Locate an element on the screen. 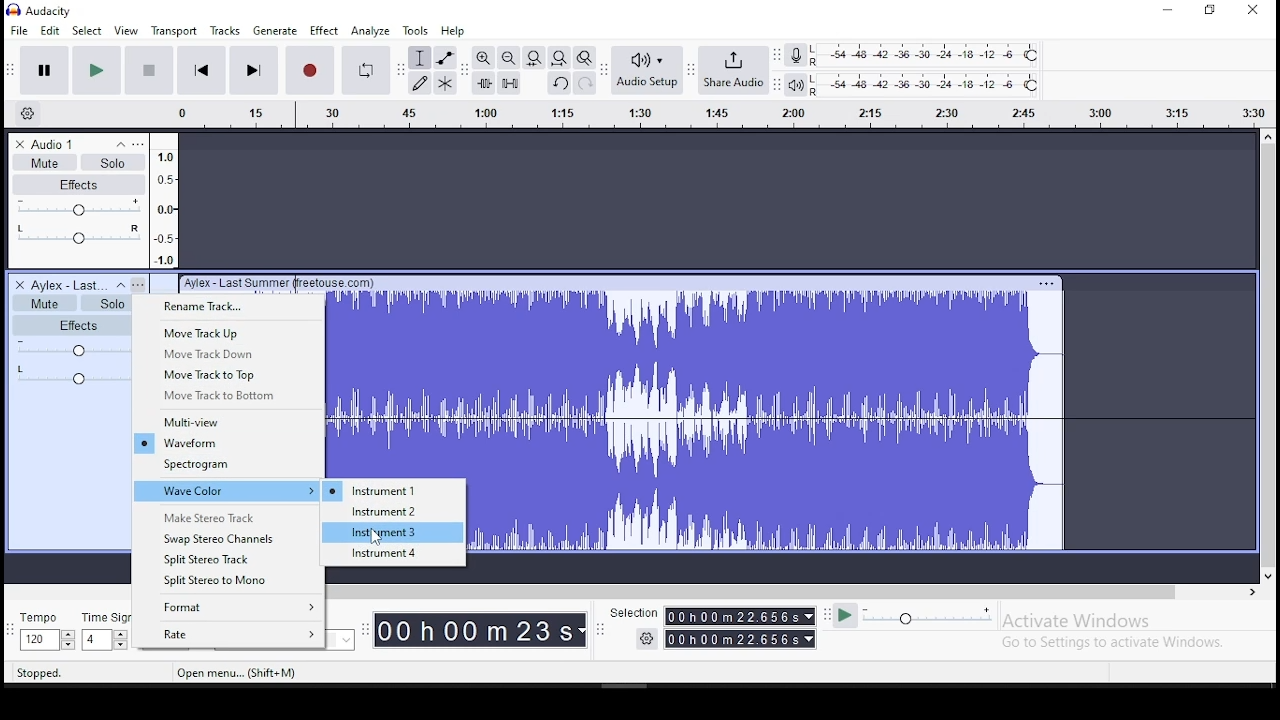 The width and height of the screenshot is (1280, 720). skip to start is located at coordinates (199, 70).